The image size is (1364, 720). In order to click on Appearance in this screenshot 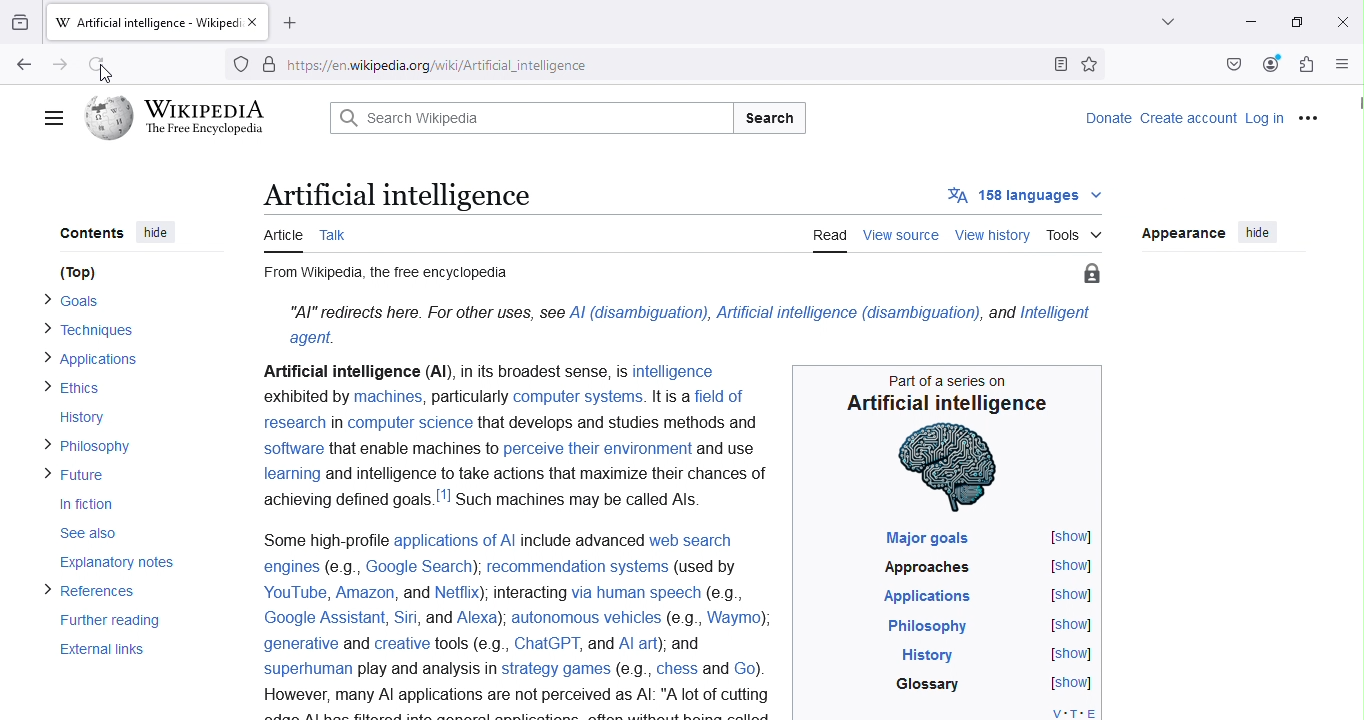, I will do `click(1185, 236)`.